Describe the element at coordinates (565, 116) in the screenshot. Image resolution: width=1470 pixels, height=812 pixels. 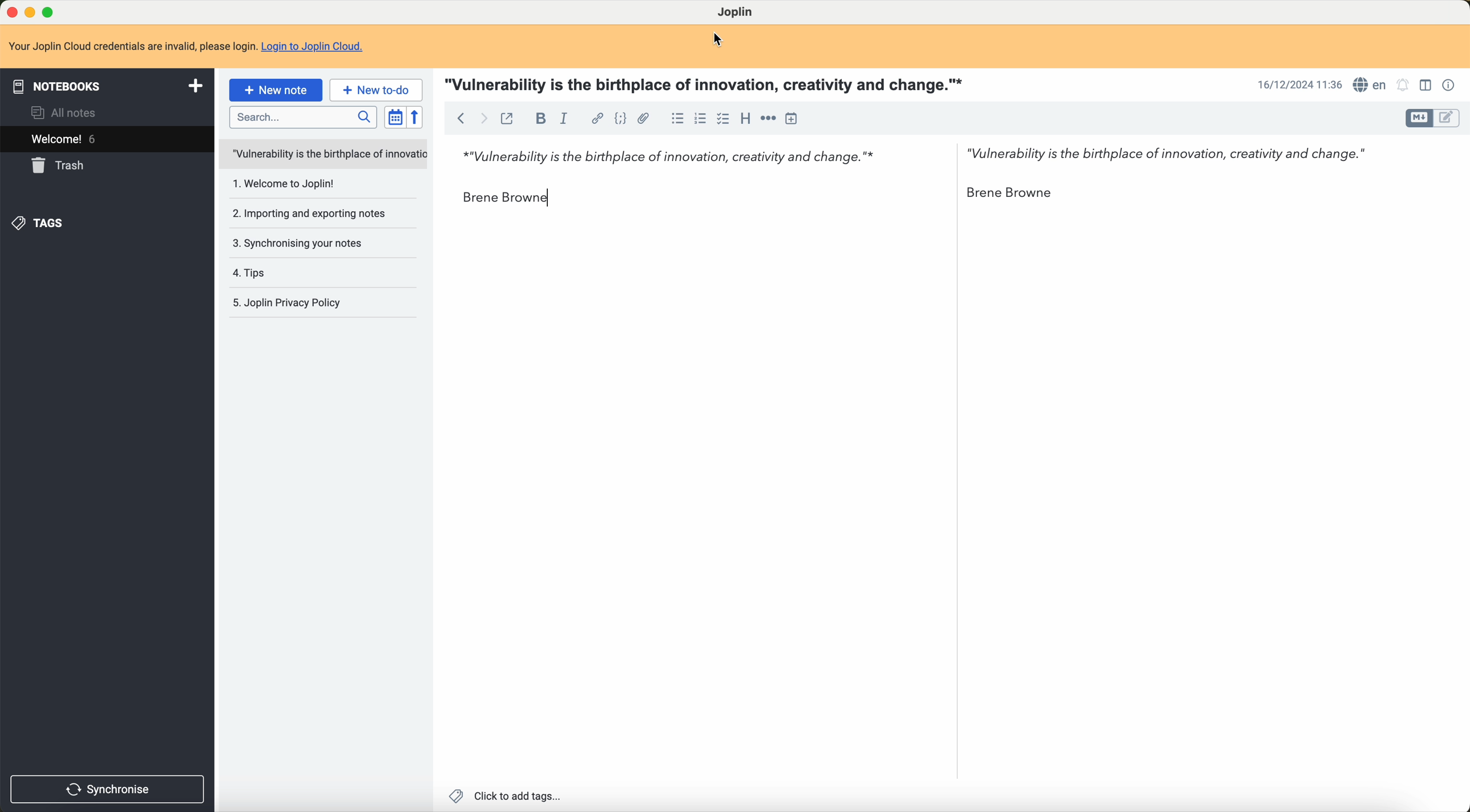
I see `italic` at that location.